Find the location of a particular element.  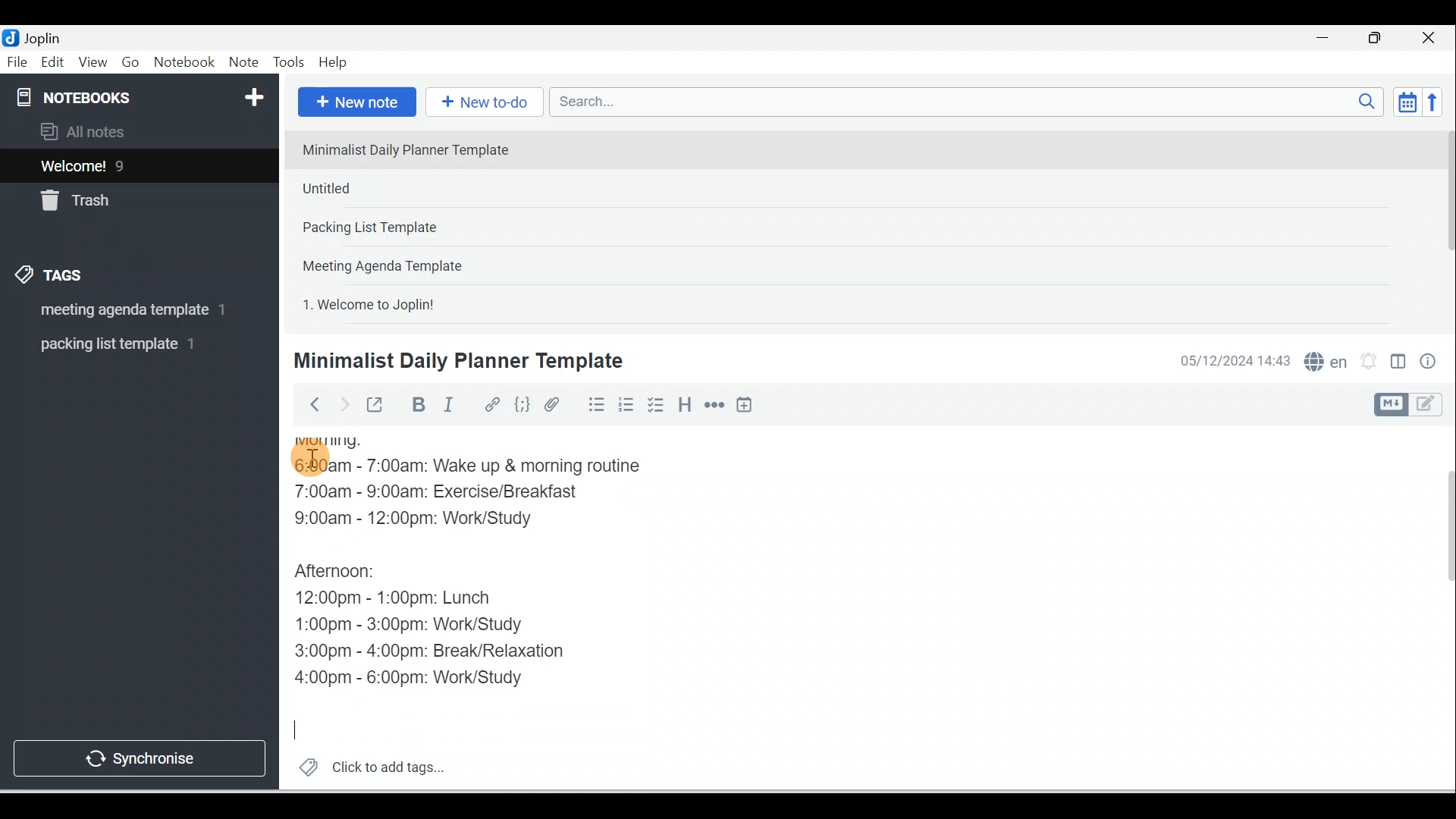

Minimalist Daily Planner Template is located at coordinates (456, 361).